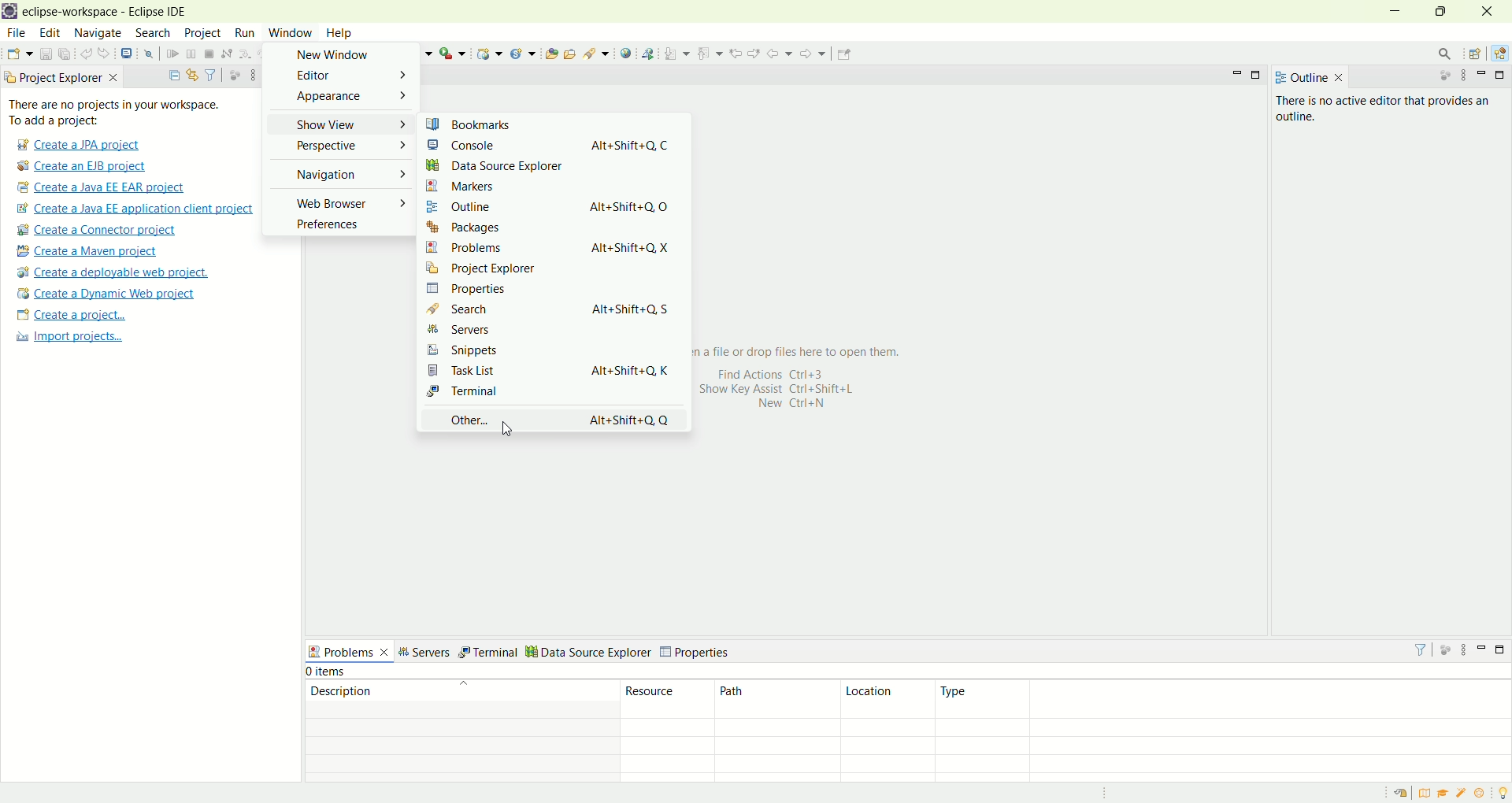 The image size is (1512, 803). Describe the element at coordinates (1399, 794) in the screenshot. I see `restore welcome` at that location.